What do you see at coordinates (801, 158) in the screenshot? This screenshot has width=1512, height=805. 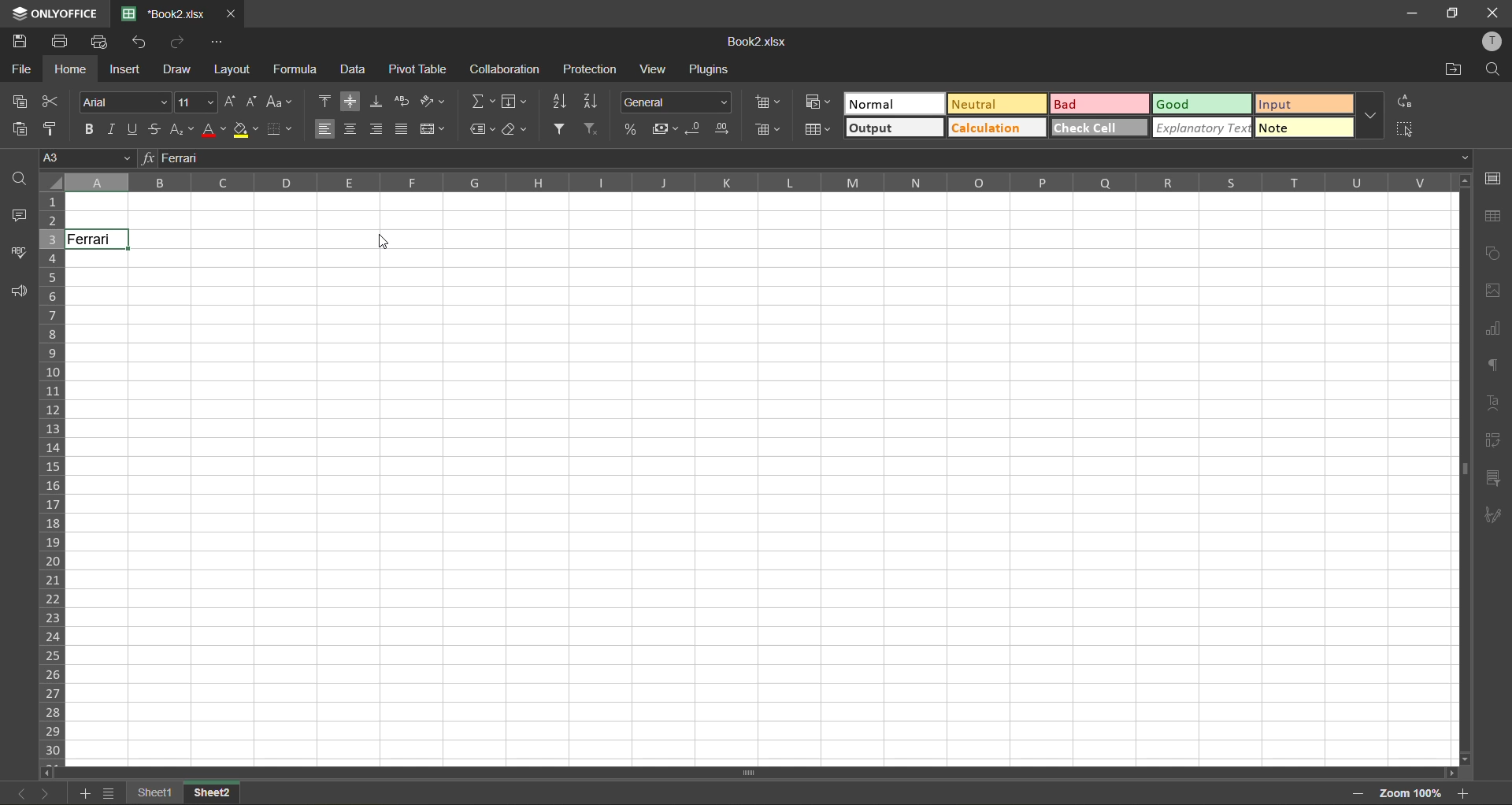 I see `formula bar` at bounding box center [801, 158].